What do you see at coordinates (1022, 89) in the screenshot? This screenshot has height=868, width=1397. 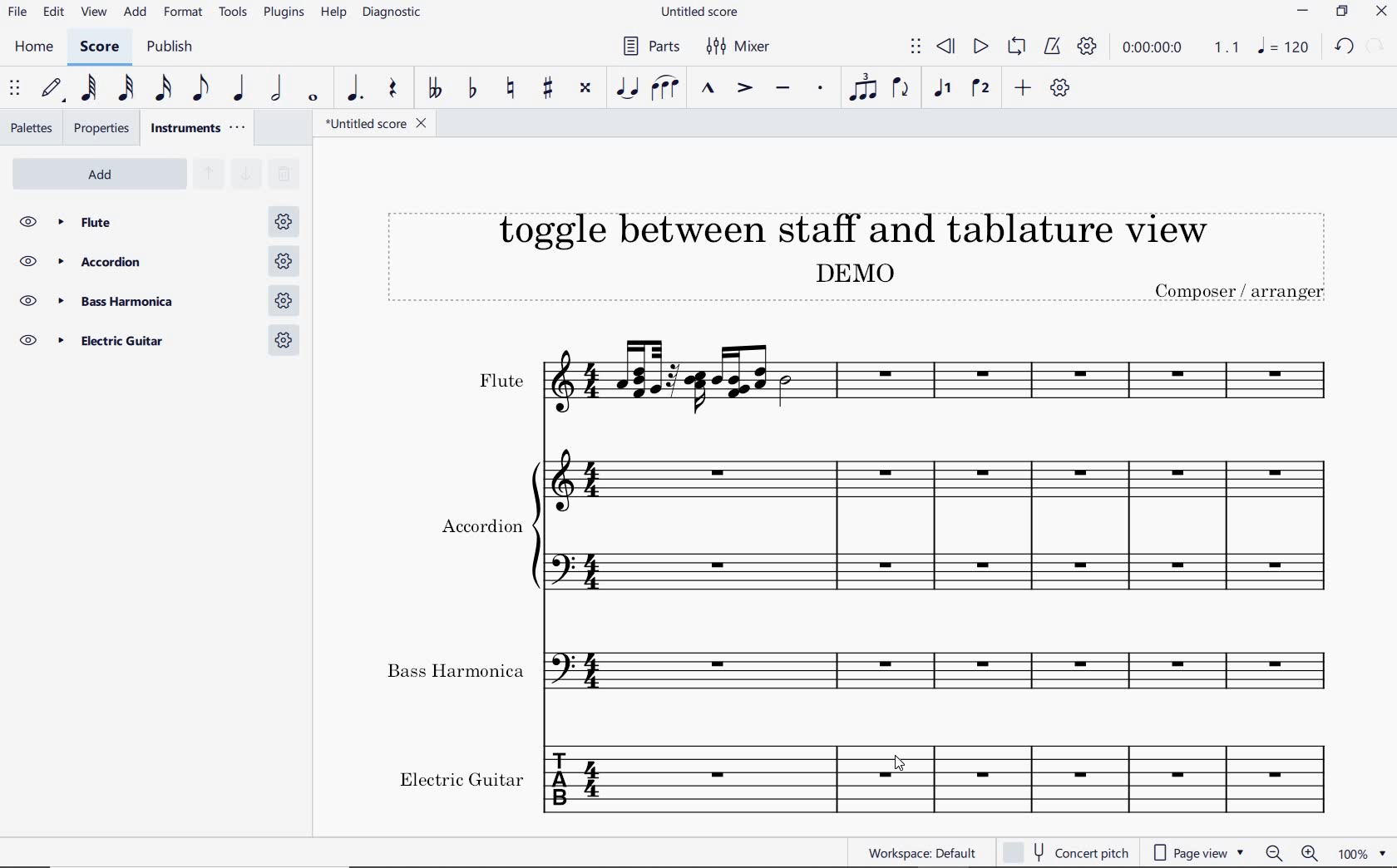 I see `add` at bounding box center [1022, 89].